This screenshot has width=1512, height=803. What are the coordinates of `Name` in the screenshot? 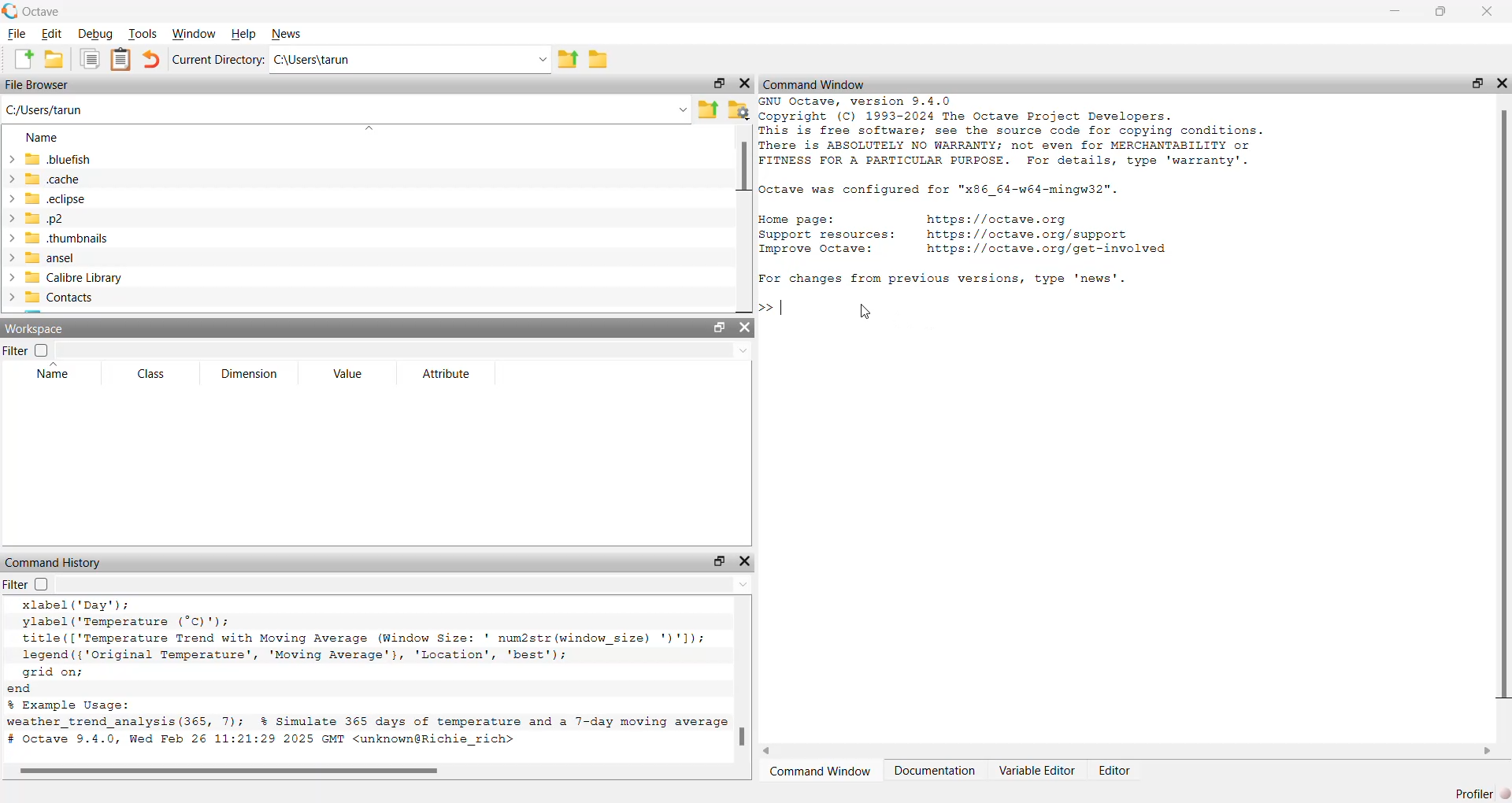 It's located at (55, 373).